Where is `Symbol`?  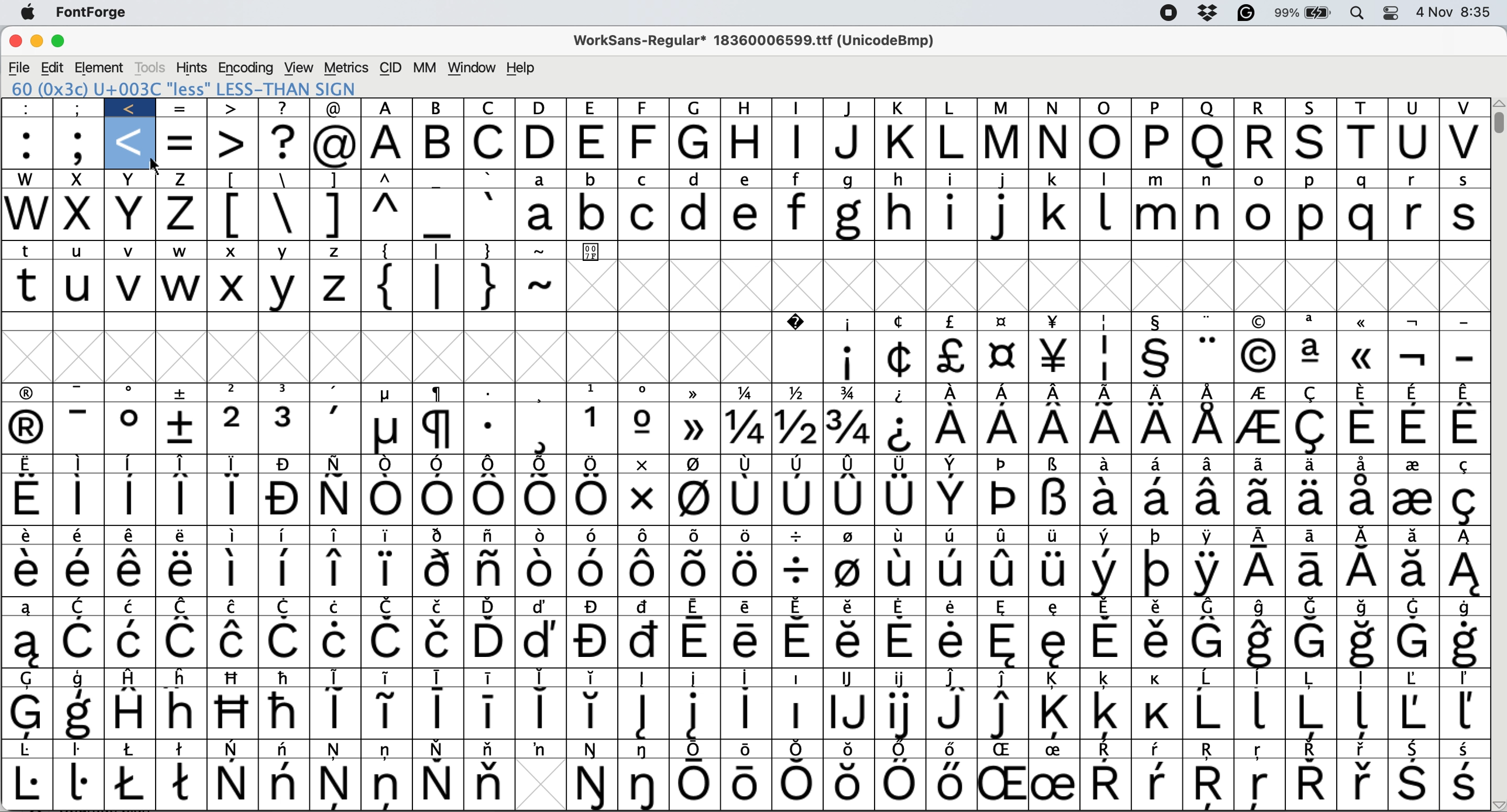 Symbol is located at coordinates (182, 536).